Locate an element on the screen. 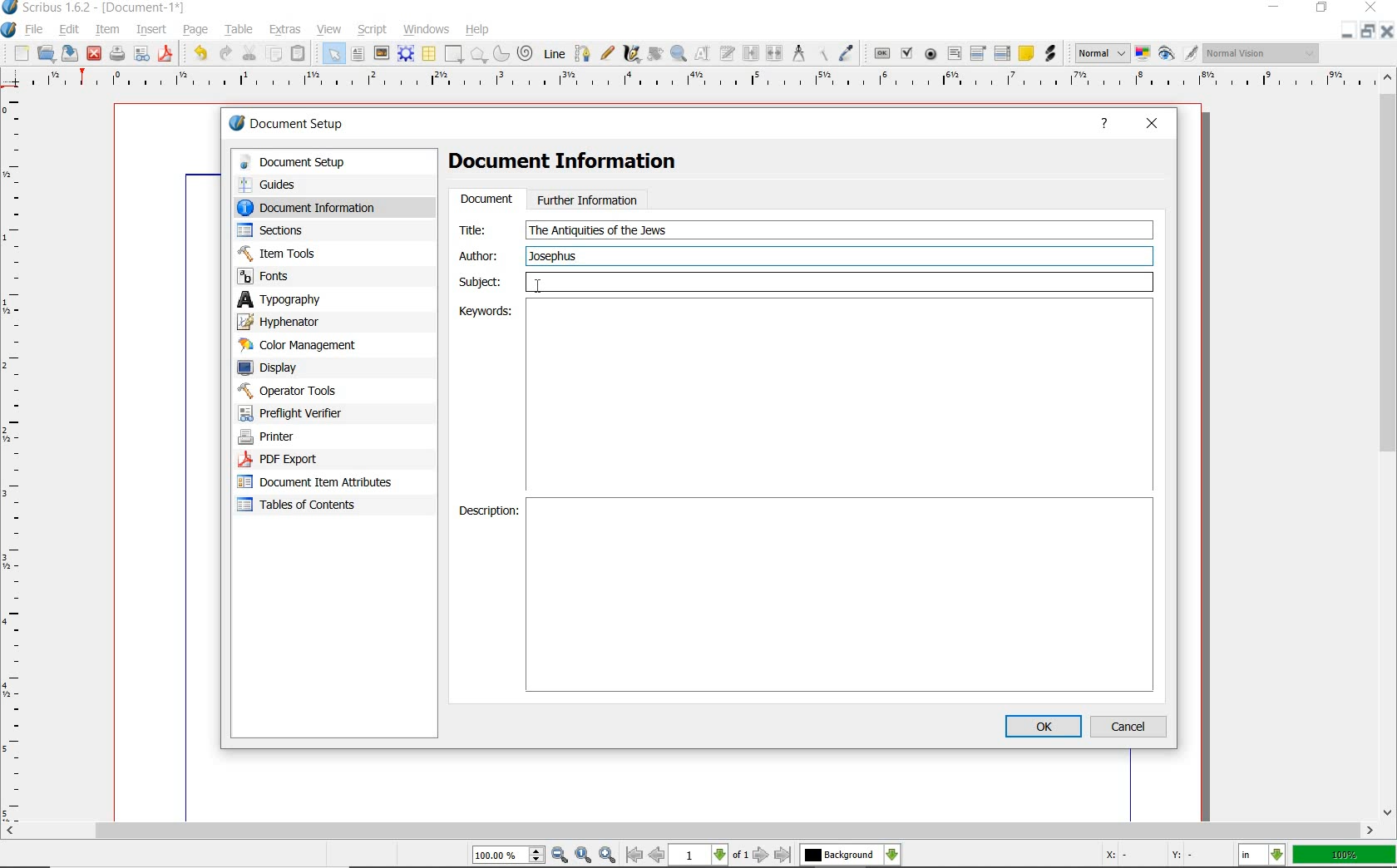 This screenshot has height=868, width=1397. windows is located at coordinates (427, 30).